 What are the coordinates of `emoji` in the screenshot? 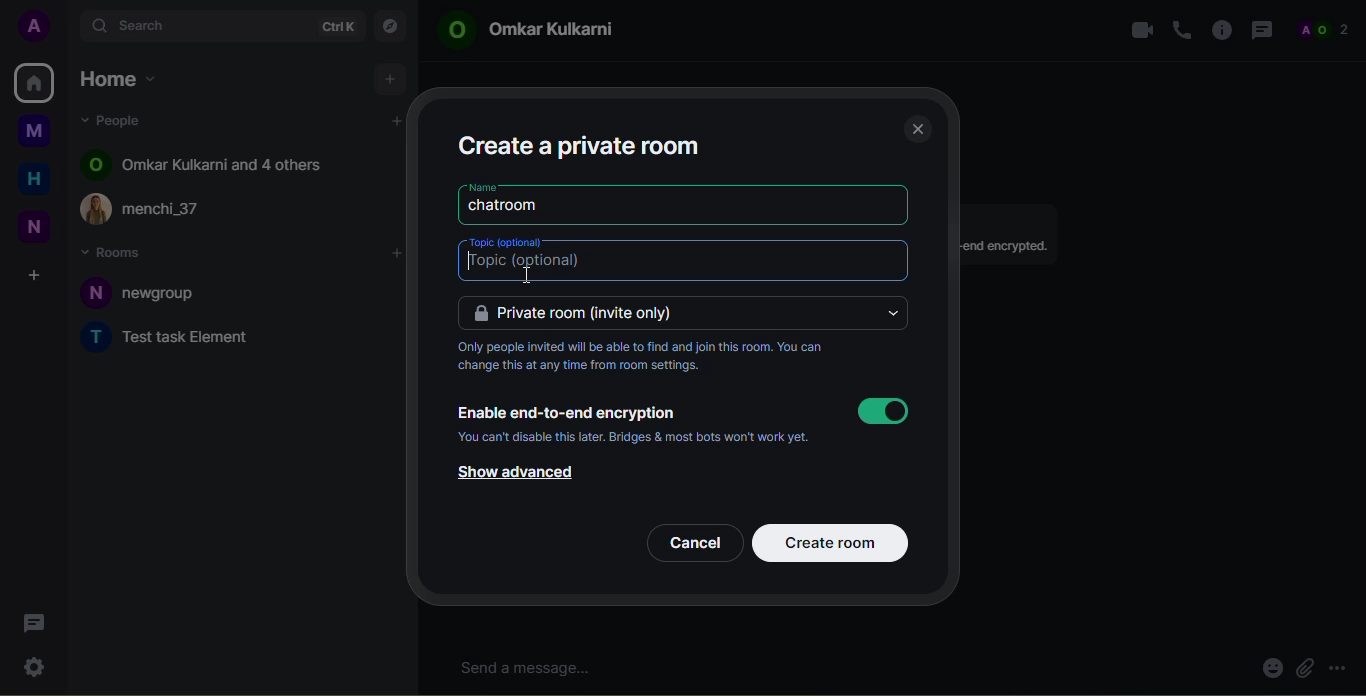 It's located at (1270, 670).